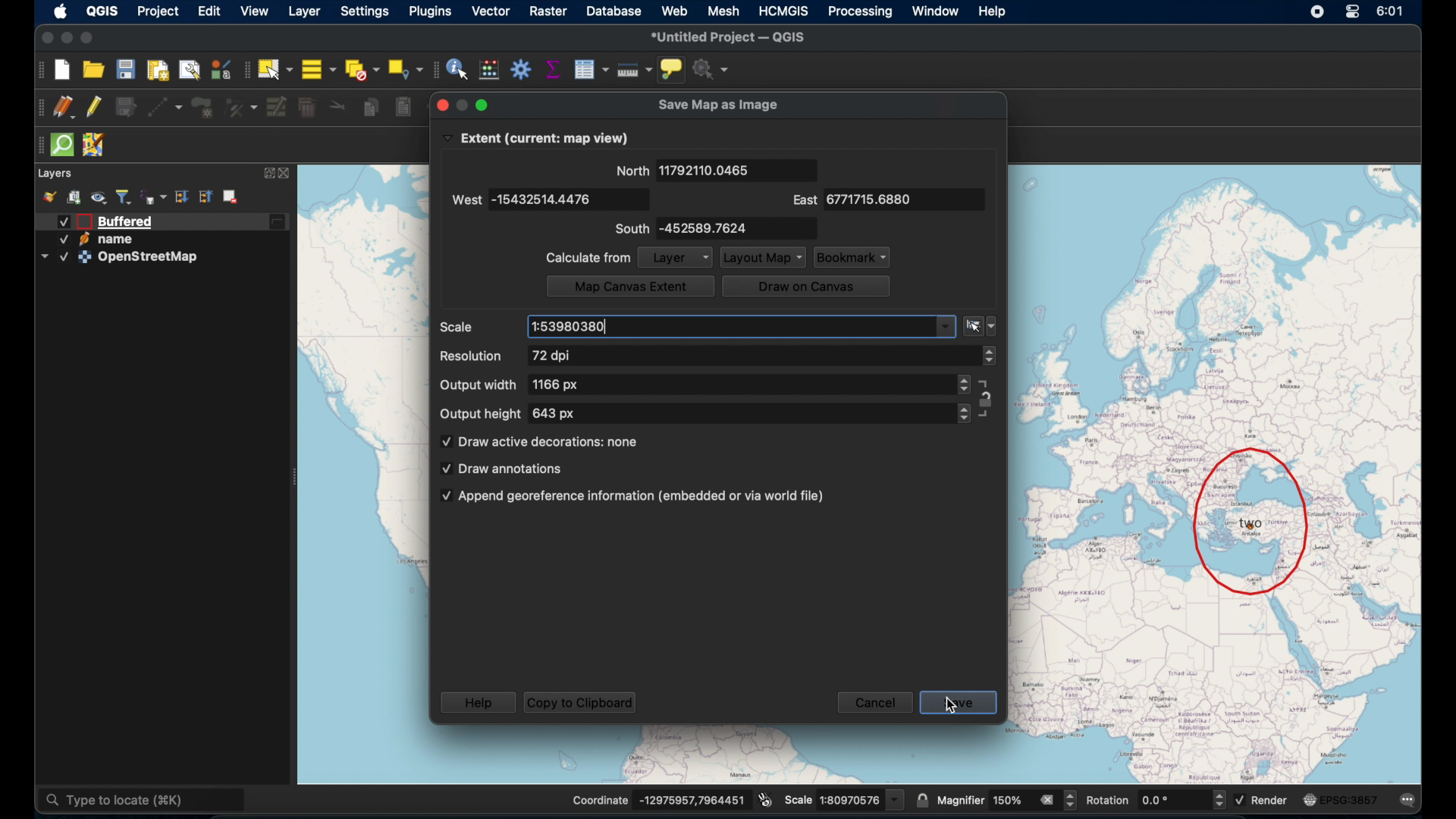 Image resolution: width=1456 pixels, height=819 pixels. I want to click on remove layer/group, so click(234, 197).